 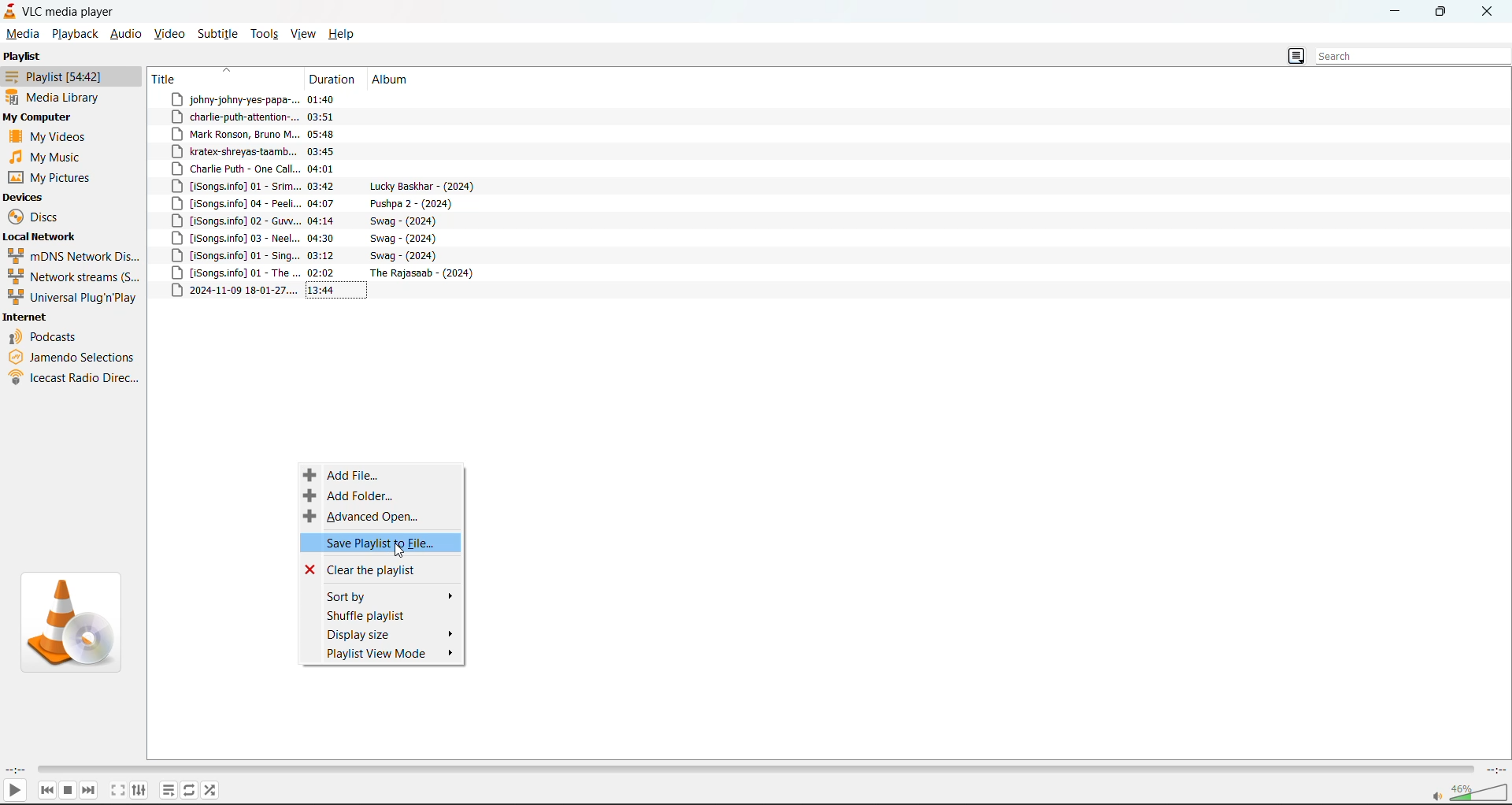 What do you see at coordinates (74, 257) in the screenshot?
I see `mdns network` at bounding box center [74, 257].